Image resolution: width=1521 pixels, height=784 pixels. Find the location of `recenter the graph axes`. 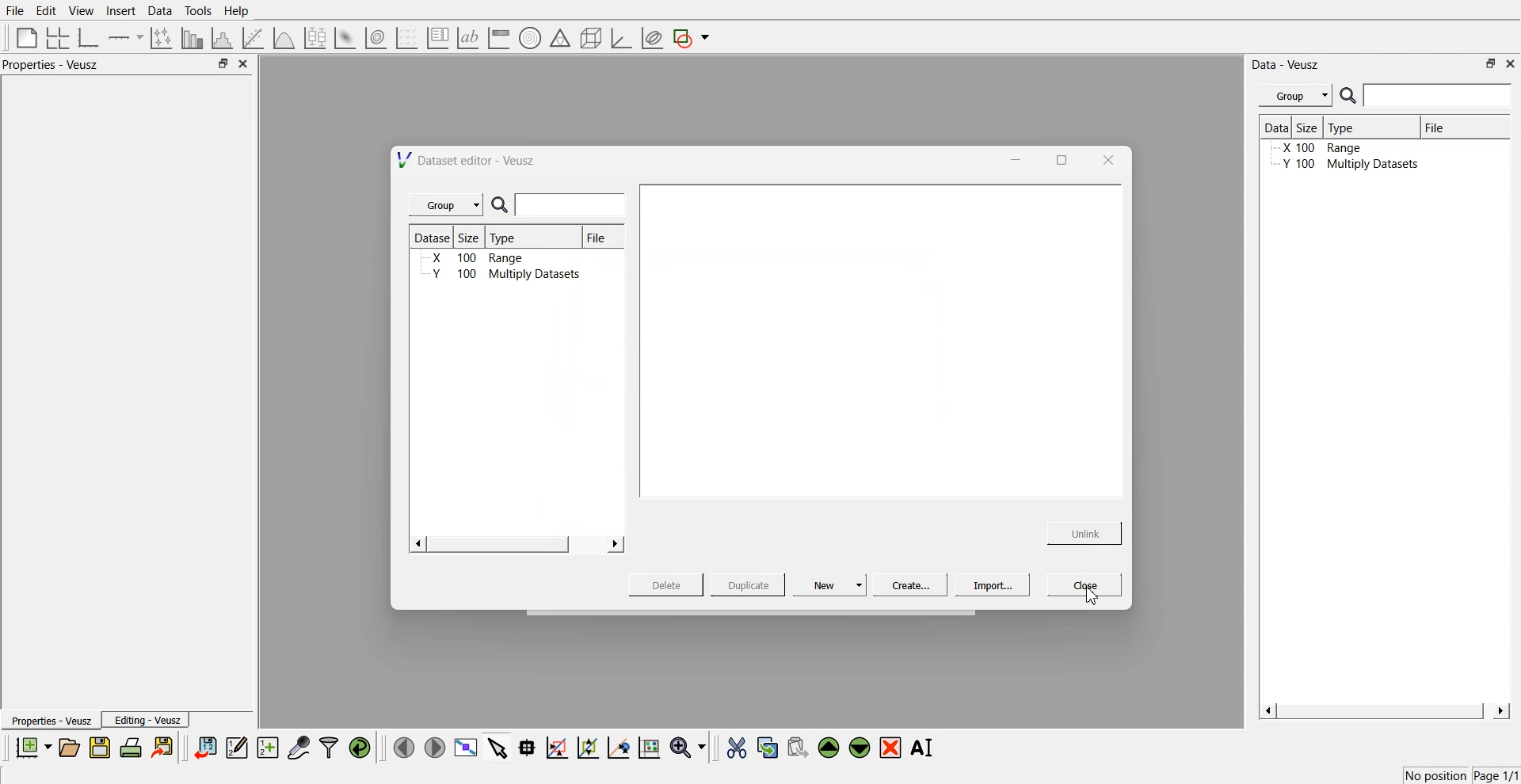

recenter the graph axes is located at coordinates (618, 747).